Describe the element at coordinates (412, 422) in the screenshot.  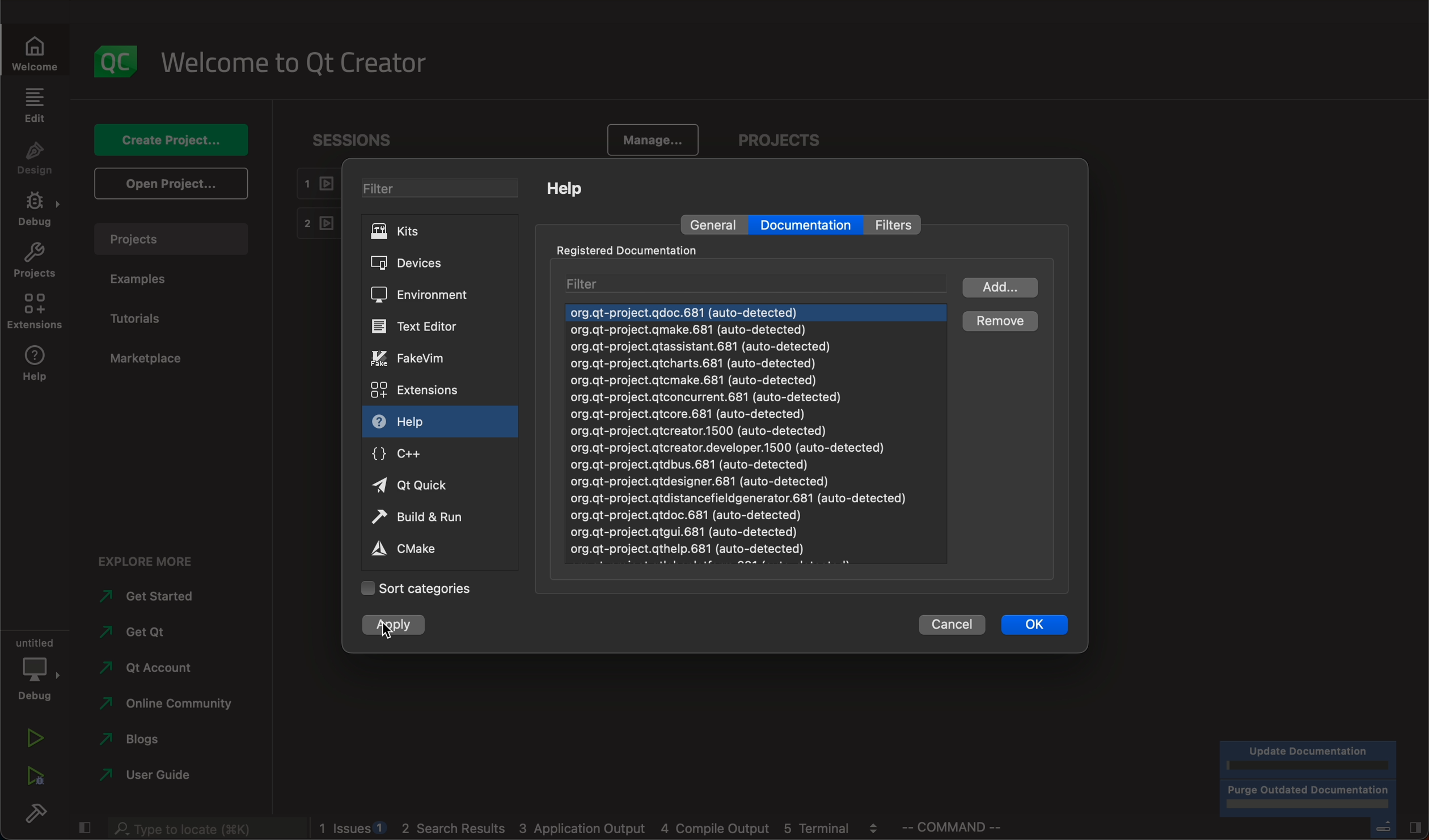
I see `help` at that location.